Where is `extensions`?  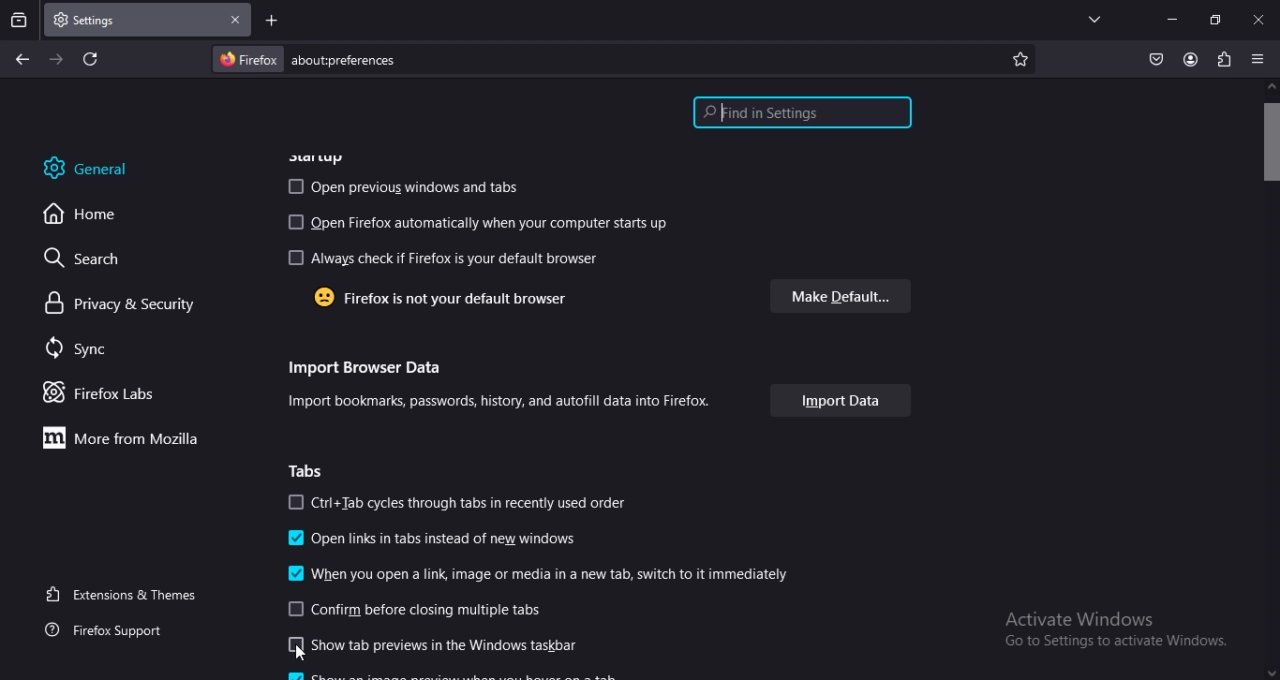 extensions is located at coordinates (1225, 58).